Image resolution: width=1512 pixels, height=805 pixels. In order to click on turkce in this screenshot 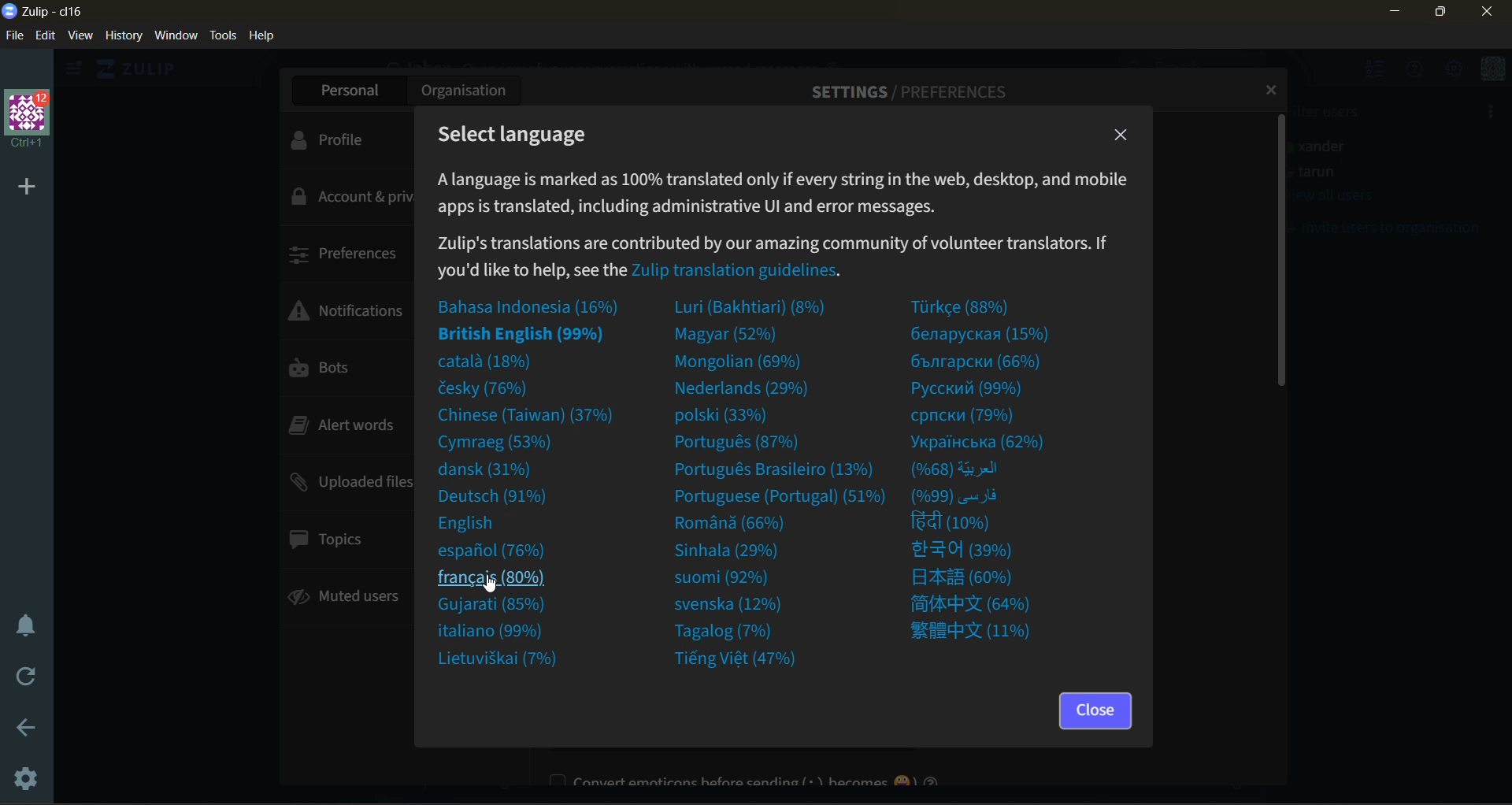, I will do `click(959, 308)`.